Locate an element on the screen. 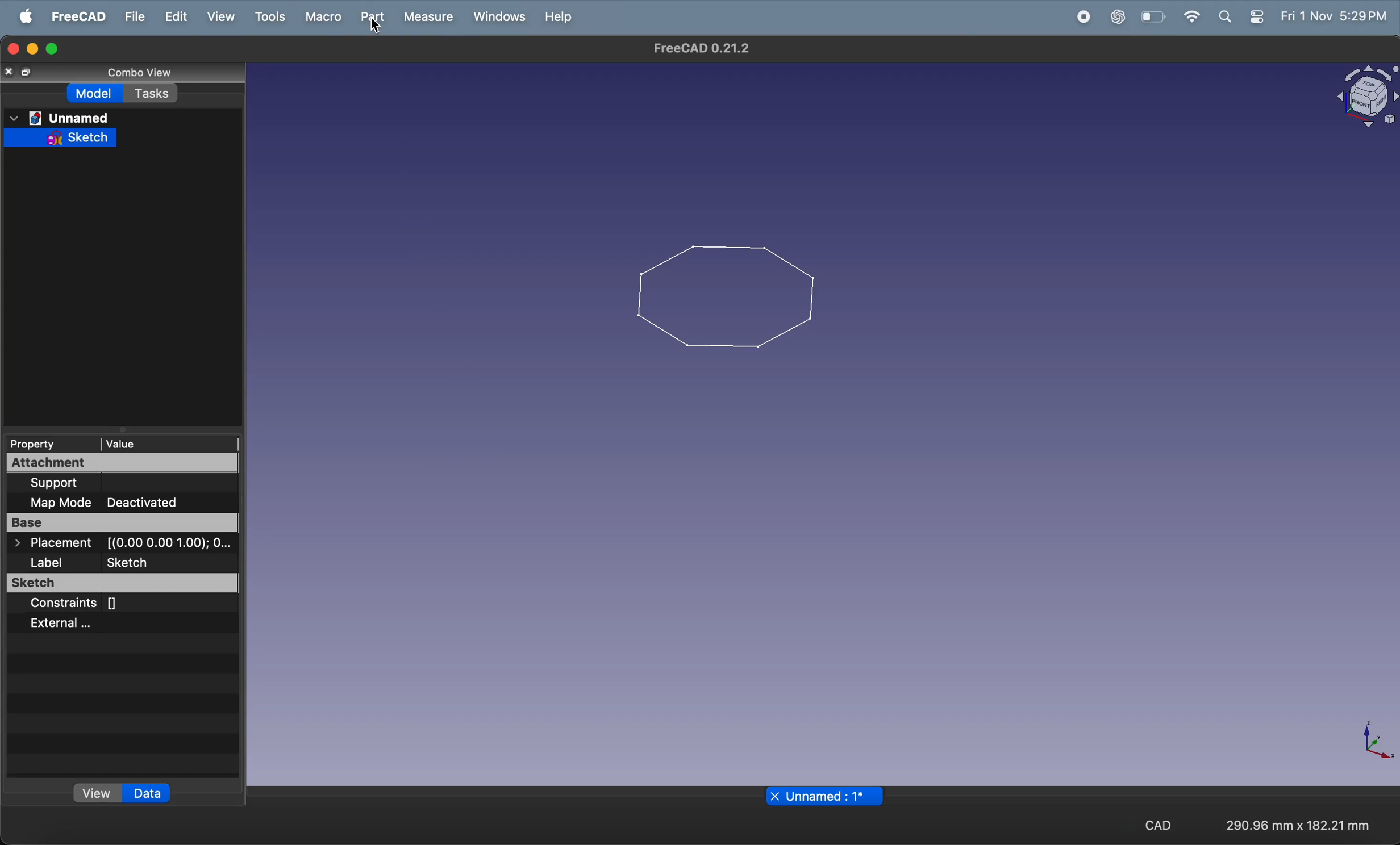  aspect ratio is located at coordinates (1301, 824).